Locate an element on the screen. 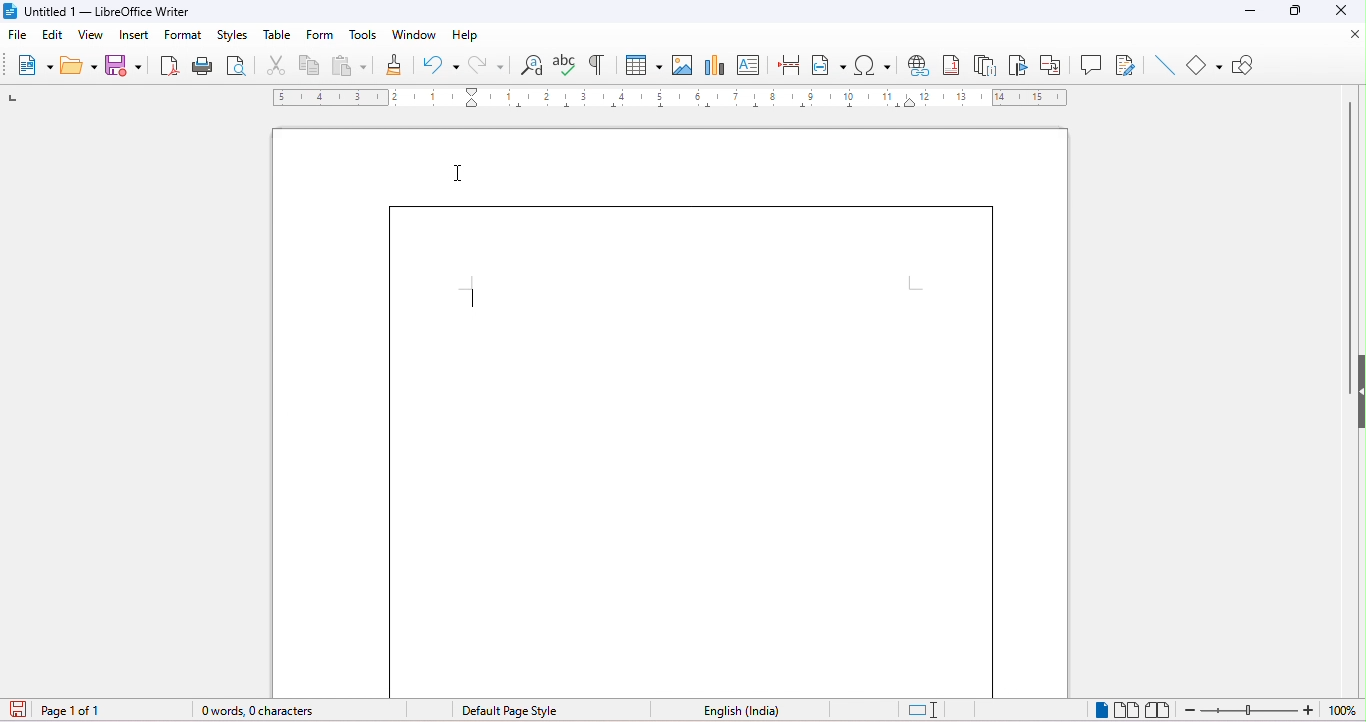 The height and width of the screenshot is (722, 1366). text box is located at coordinates (752, 69).